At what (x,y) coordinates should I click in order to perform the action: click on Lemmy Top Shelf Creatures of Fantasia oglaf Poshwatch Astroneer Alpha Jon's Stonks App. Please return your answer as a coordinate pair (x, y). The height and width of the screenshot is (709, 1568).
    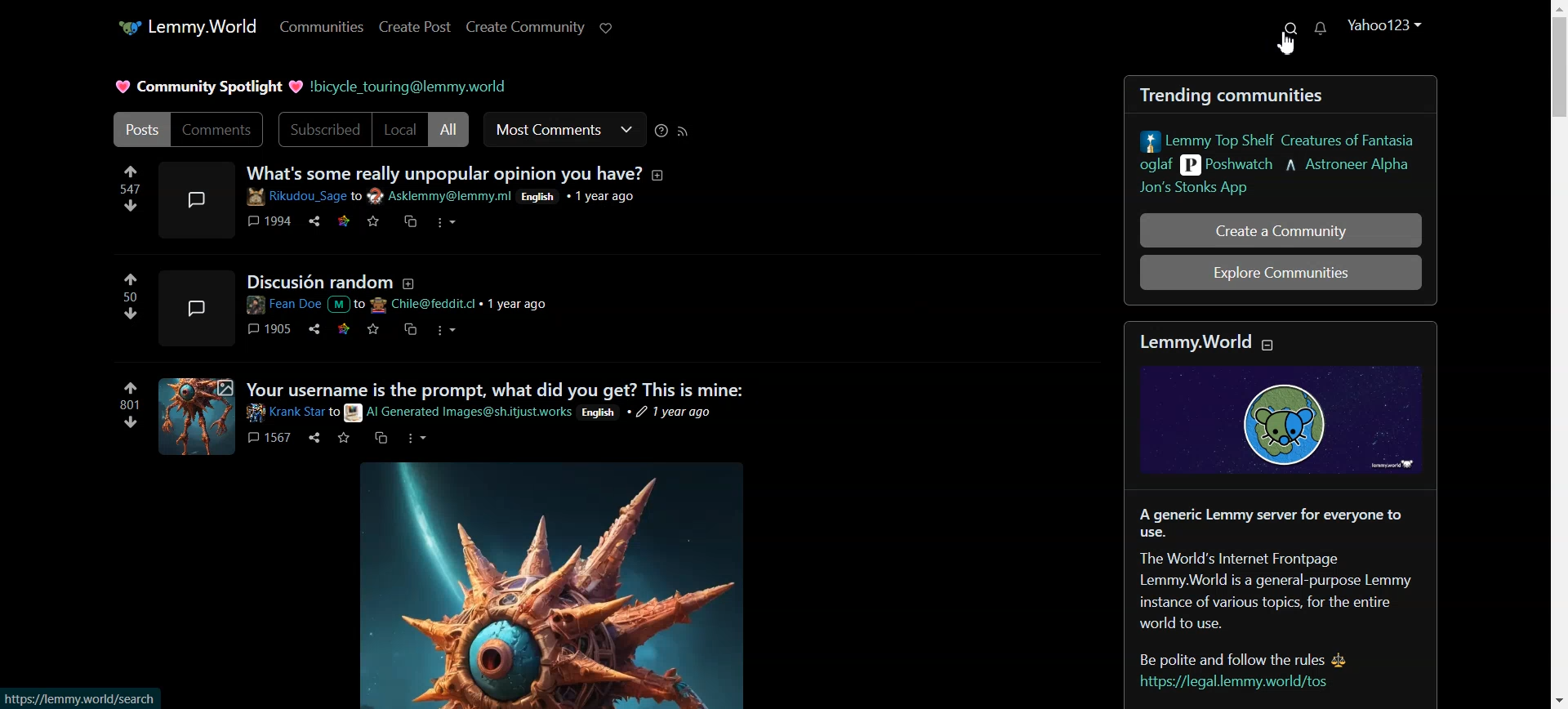
    Looking at the image, I should click on (1281, 163).